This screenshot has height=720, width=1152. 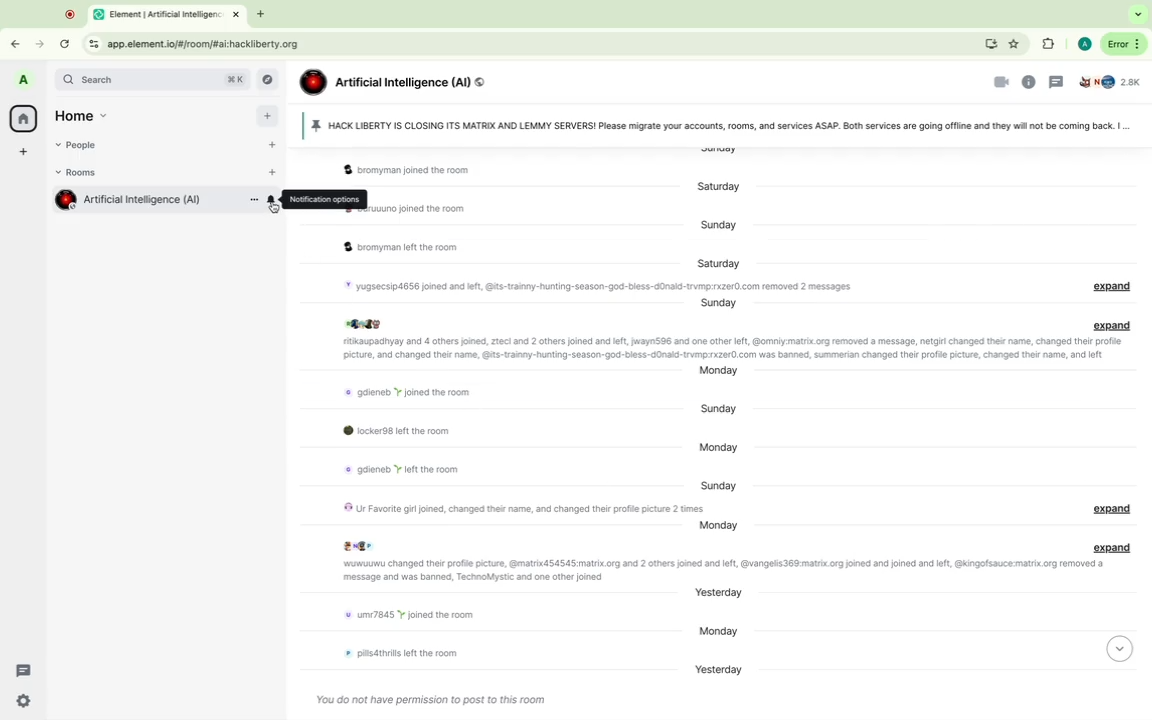 I want to click on Message, so click(x=717, y=570).